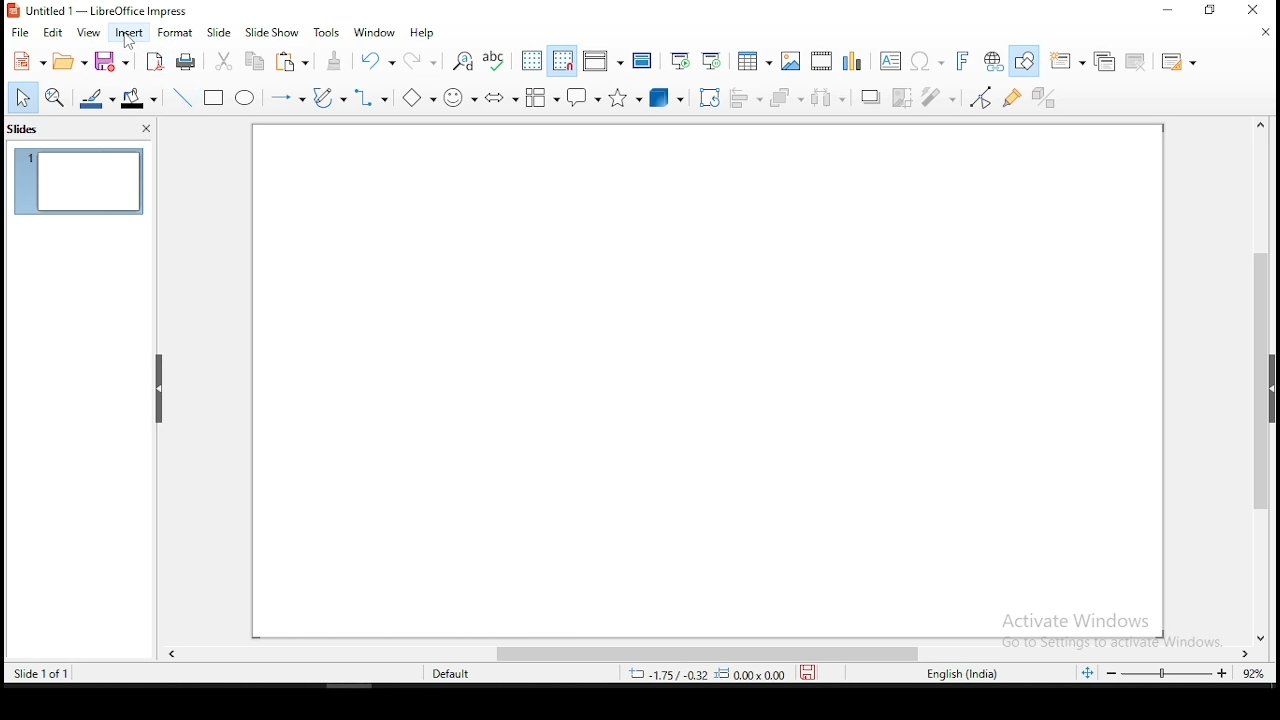 This screenshot has height=720, width=1280. What do you see at coordinates (225, 61) in the screenshot?
I see `cut` at bounding box center [225, 61].